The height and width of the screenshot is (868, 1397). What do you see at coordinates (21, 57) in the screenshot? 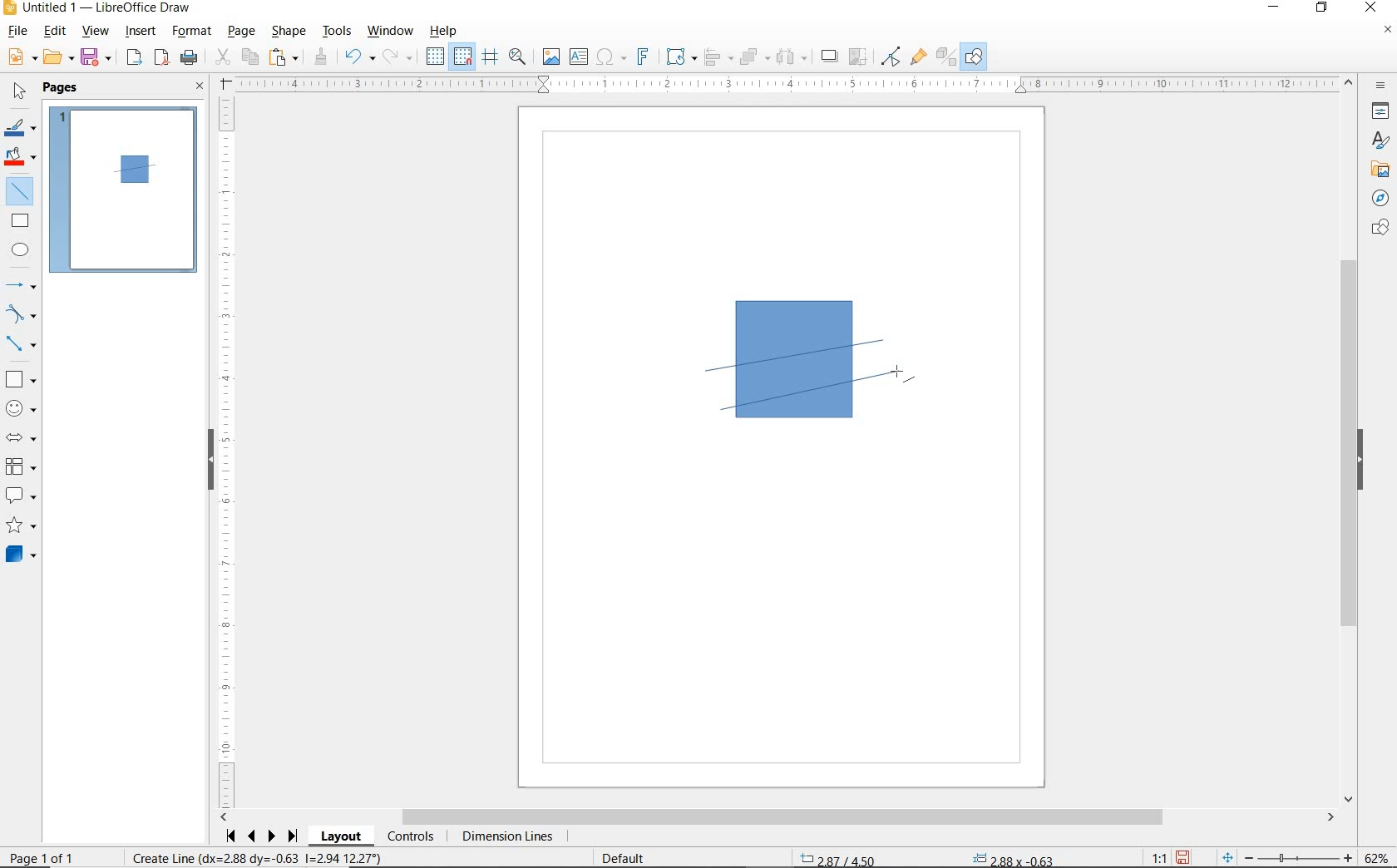
I see `NEW` at bounding box center [21, 57].